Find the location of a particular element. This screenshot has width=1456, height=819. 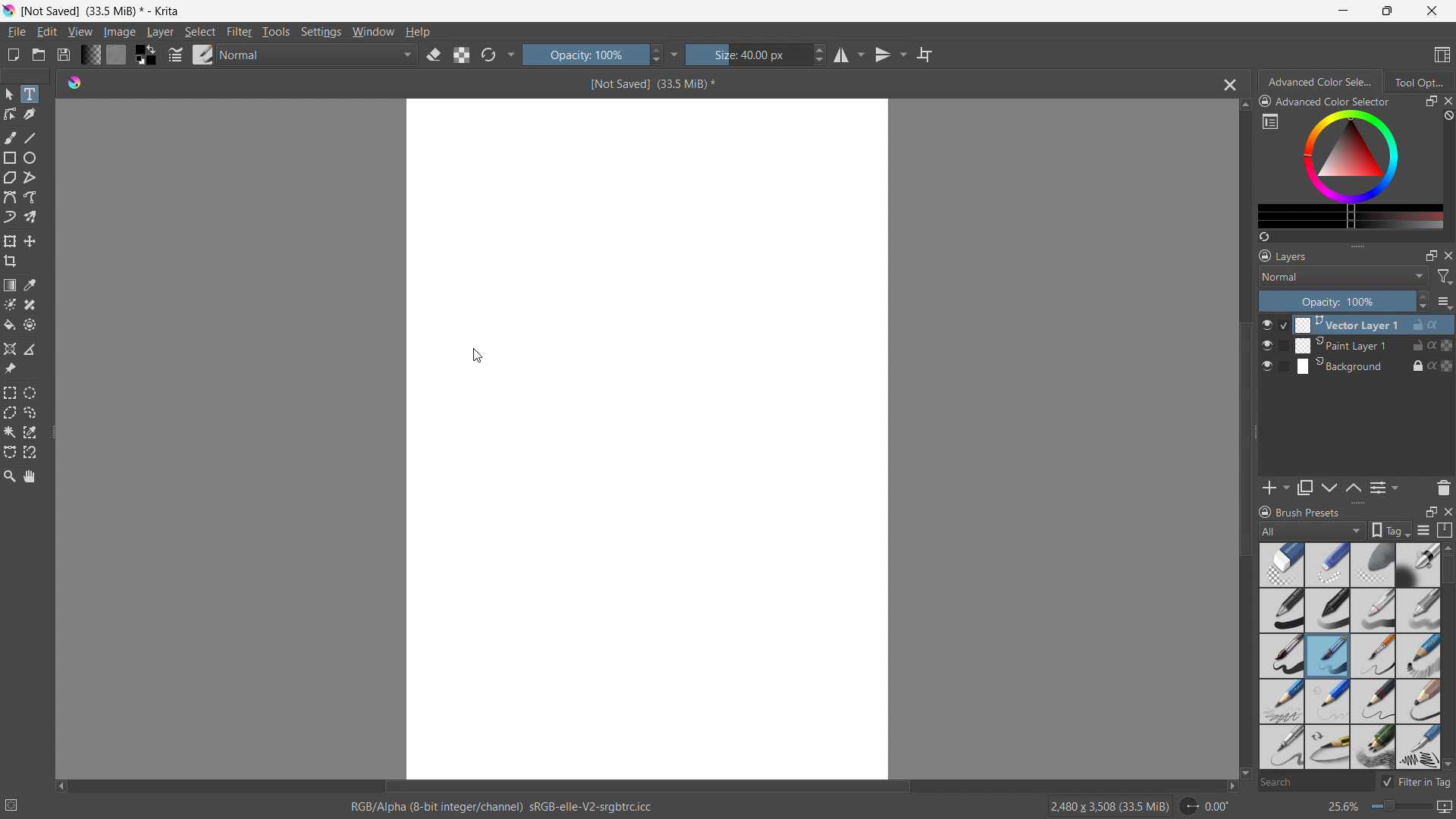

file is located at coordinates (16, 32).